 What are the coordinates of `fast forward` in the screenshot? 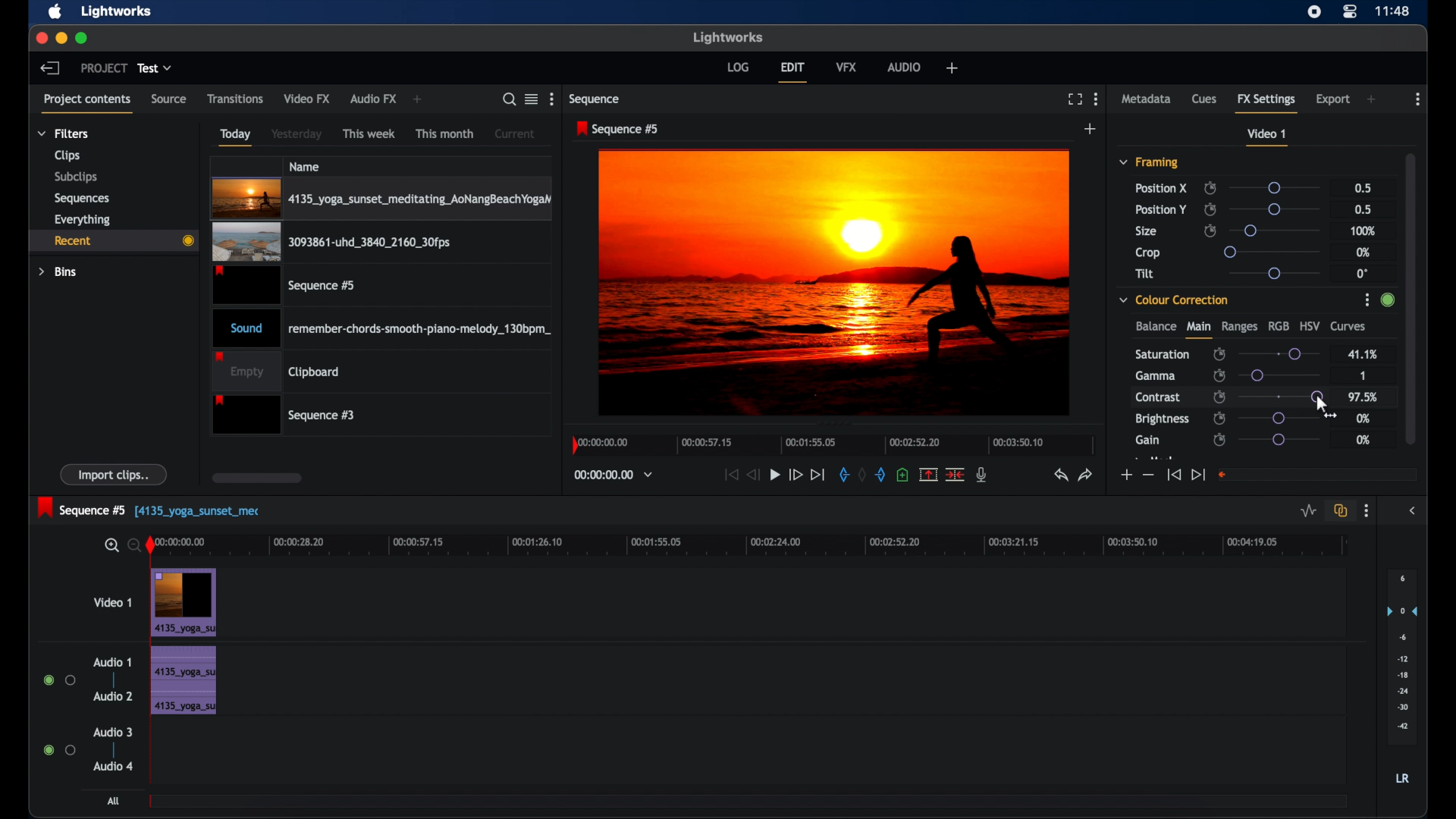 It's located at (795, 475).